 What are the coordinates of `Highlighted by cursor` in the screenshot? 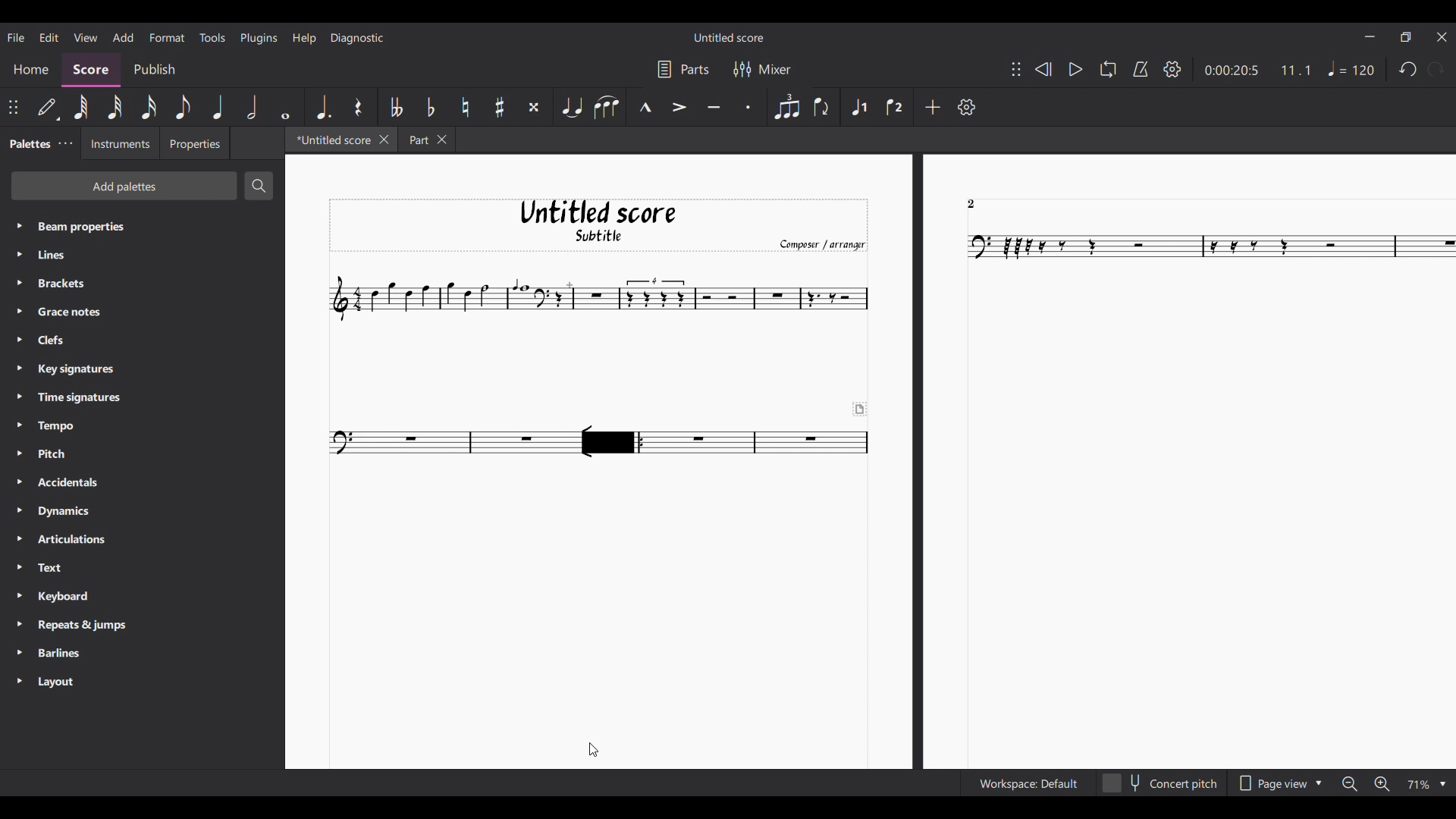 It's located at (611, 441).